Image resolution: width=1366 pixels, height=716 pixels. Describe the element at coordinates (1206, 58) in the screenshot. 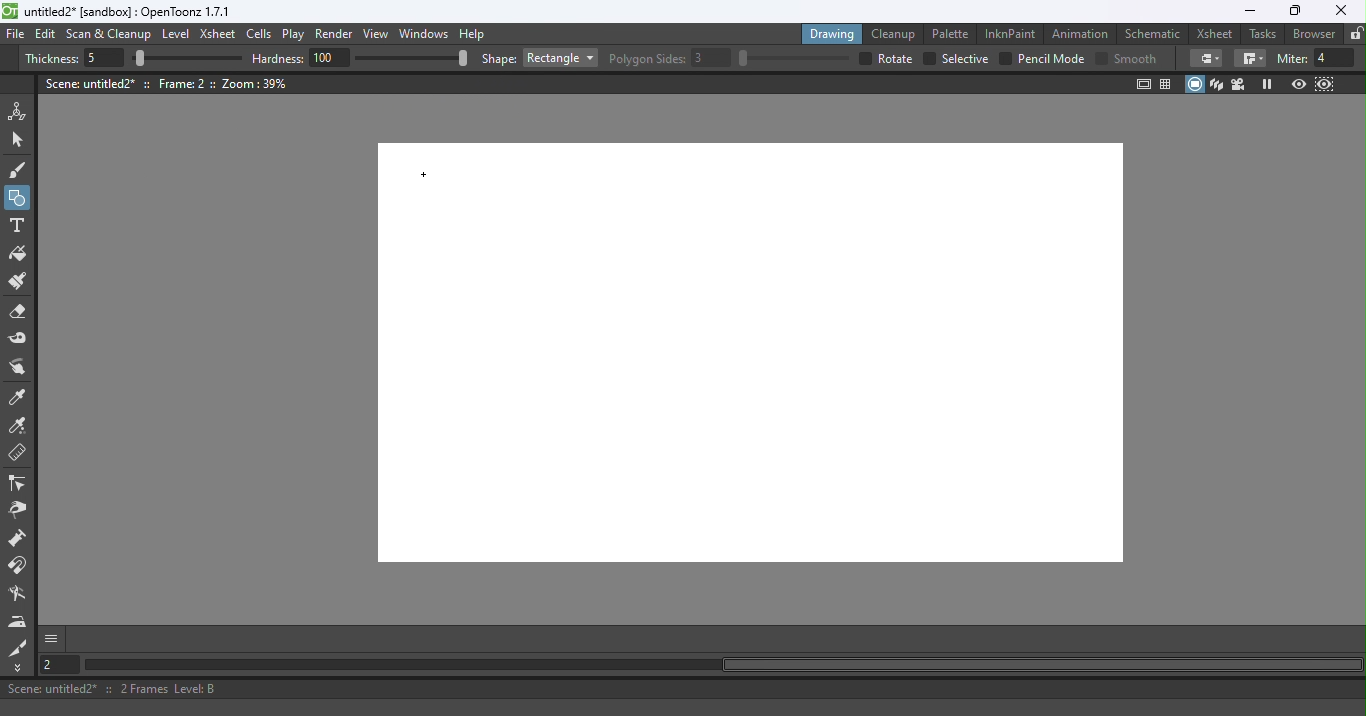

I see `Border corners` at that location.